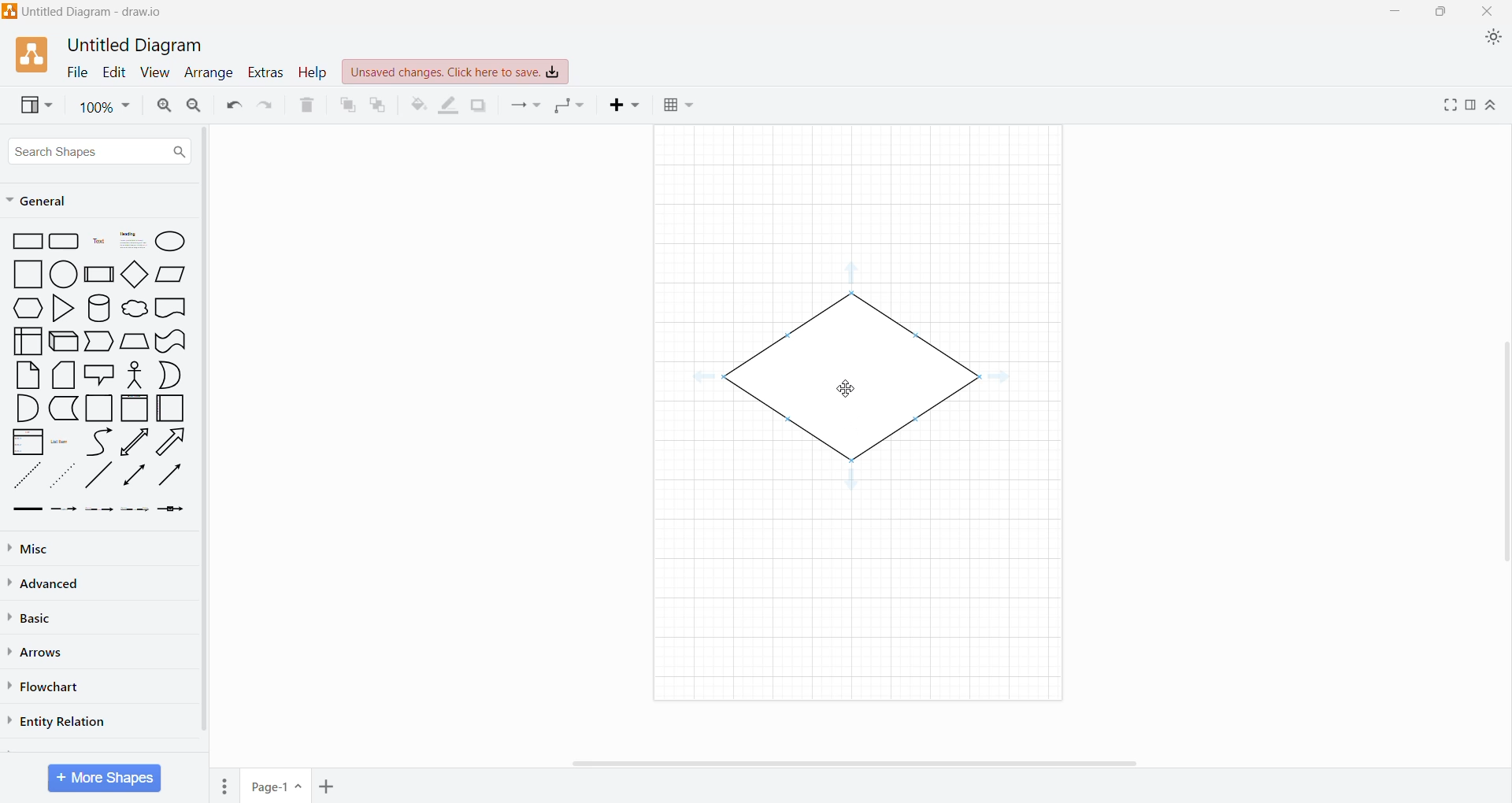 This screenshot has height=803, width=1512. What do you see at coordinates (85, 13) in the screenshot?
I see `Application Name` at bounding box center [85, 13].